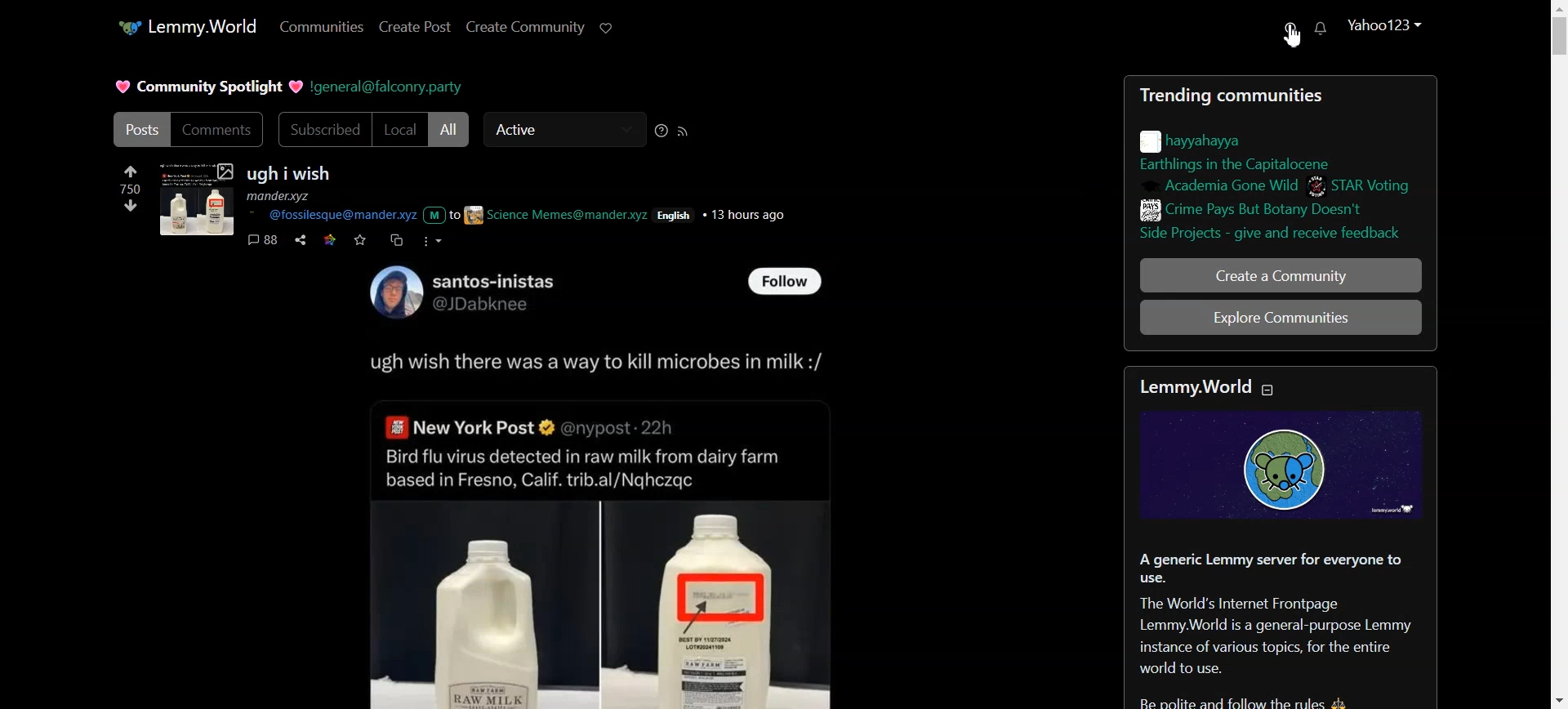 The image size is (1568, 709). What do you see at coordinates (1282, 317) in the screenshot?
I see `Explore Community` at bounding box center [1282, 317].